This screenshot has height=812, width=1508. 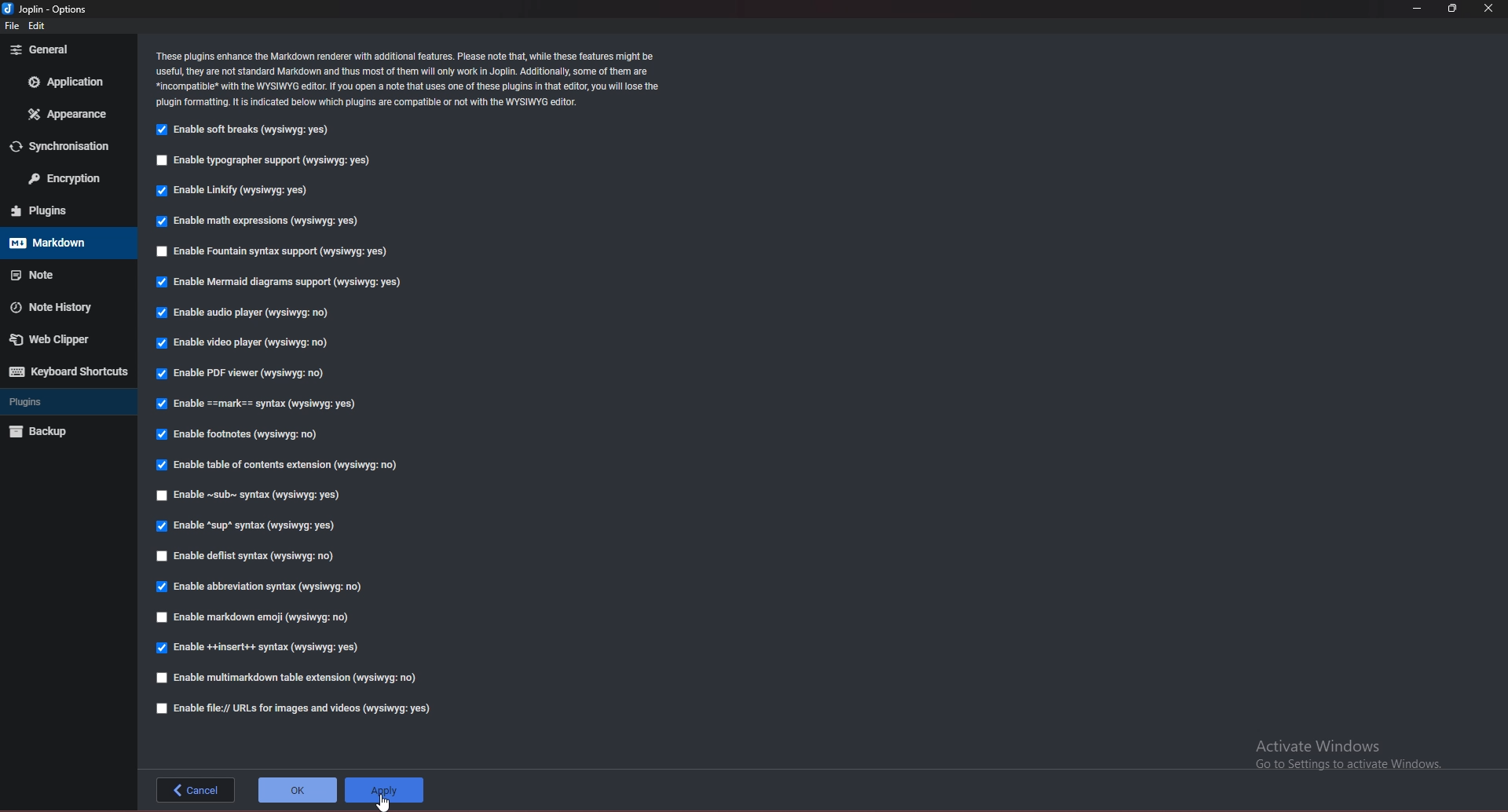 What do you see at coordinates (296, 708) in the screenshot?
I see `enable file url for images and videos` at bounding box center [296, 708].